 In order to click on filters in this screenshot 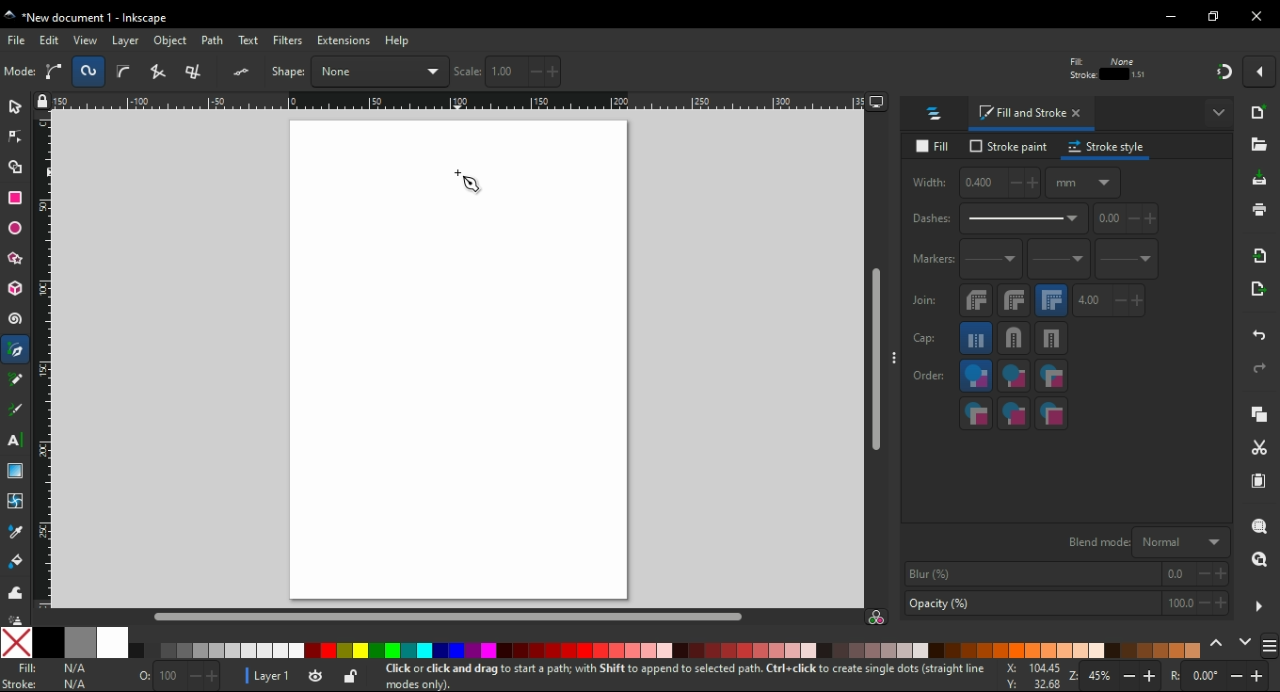, I will do `click(289, 42)`.